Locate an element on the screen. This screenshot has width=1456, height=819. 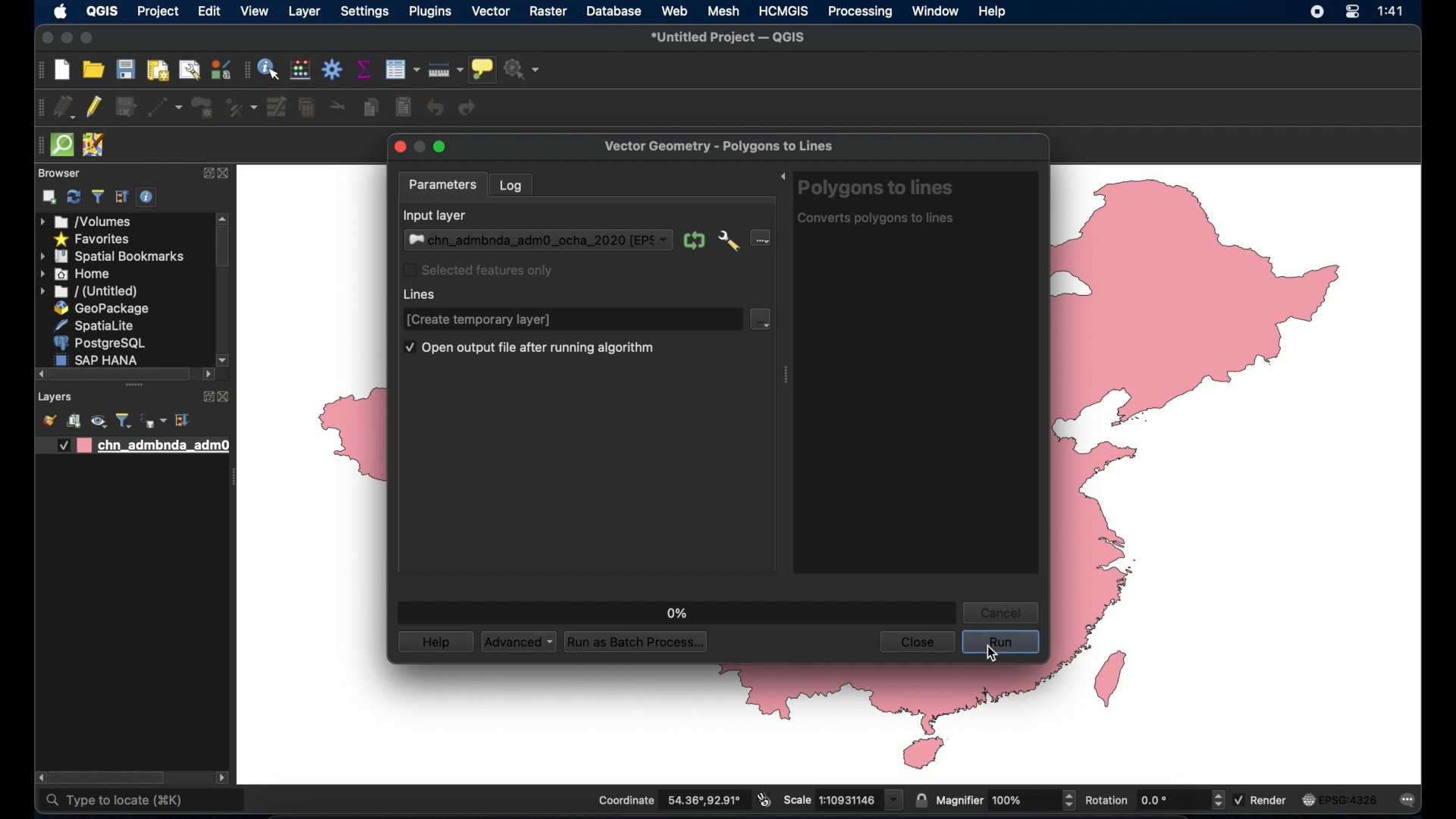
run as batch process is located at coordinates (639, 642).